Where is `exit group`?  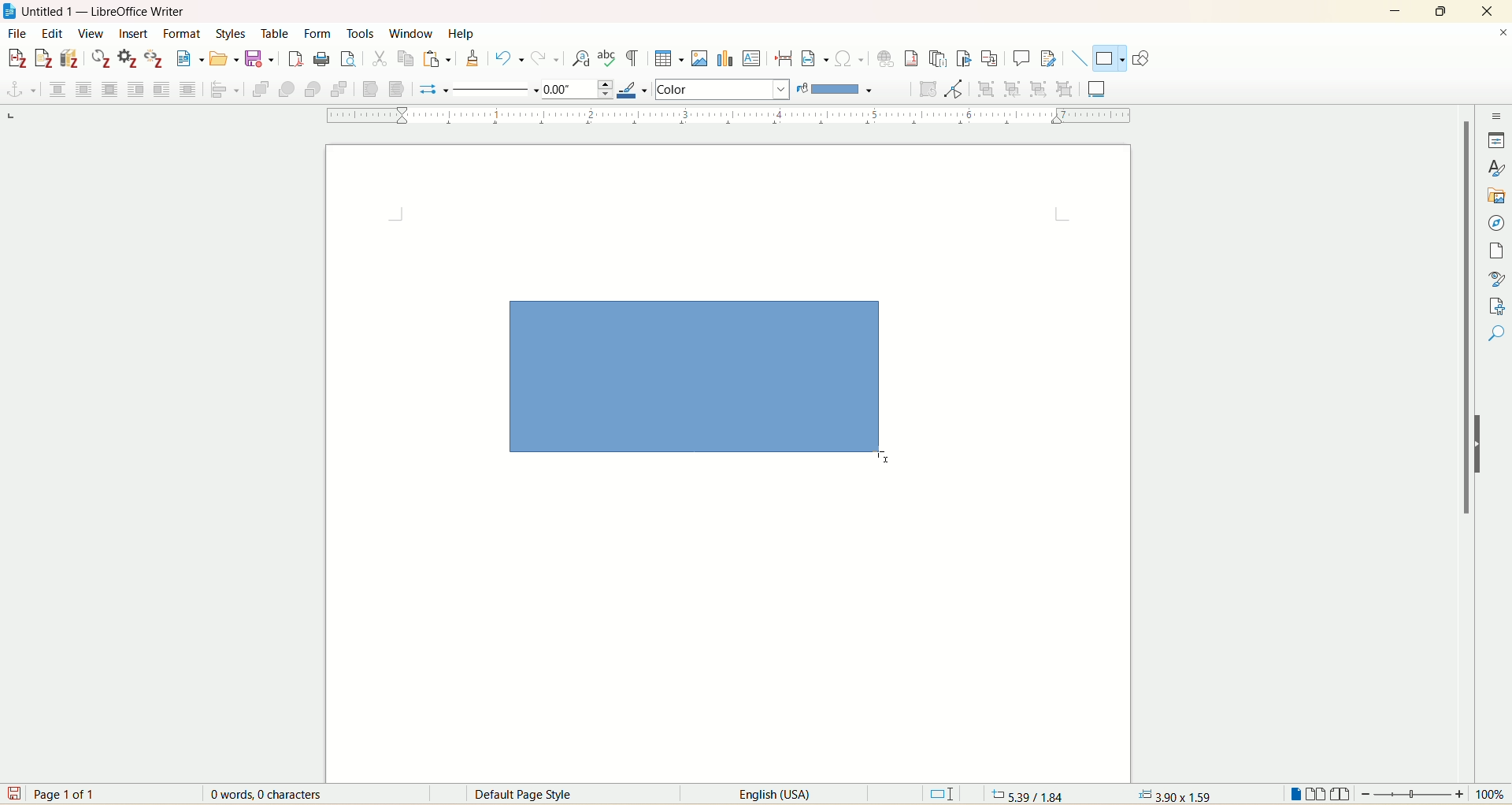
exit group is located at coordinates (1040, 88).